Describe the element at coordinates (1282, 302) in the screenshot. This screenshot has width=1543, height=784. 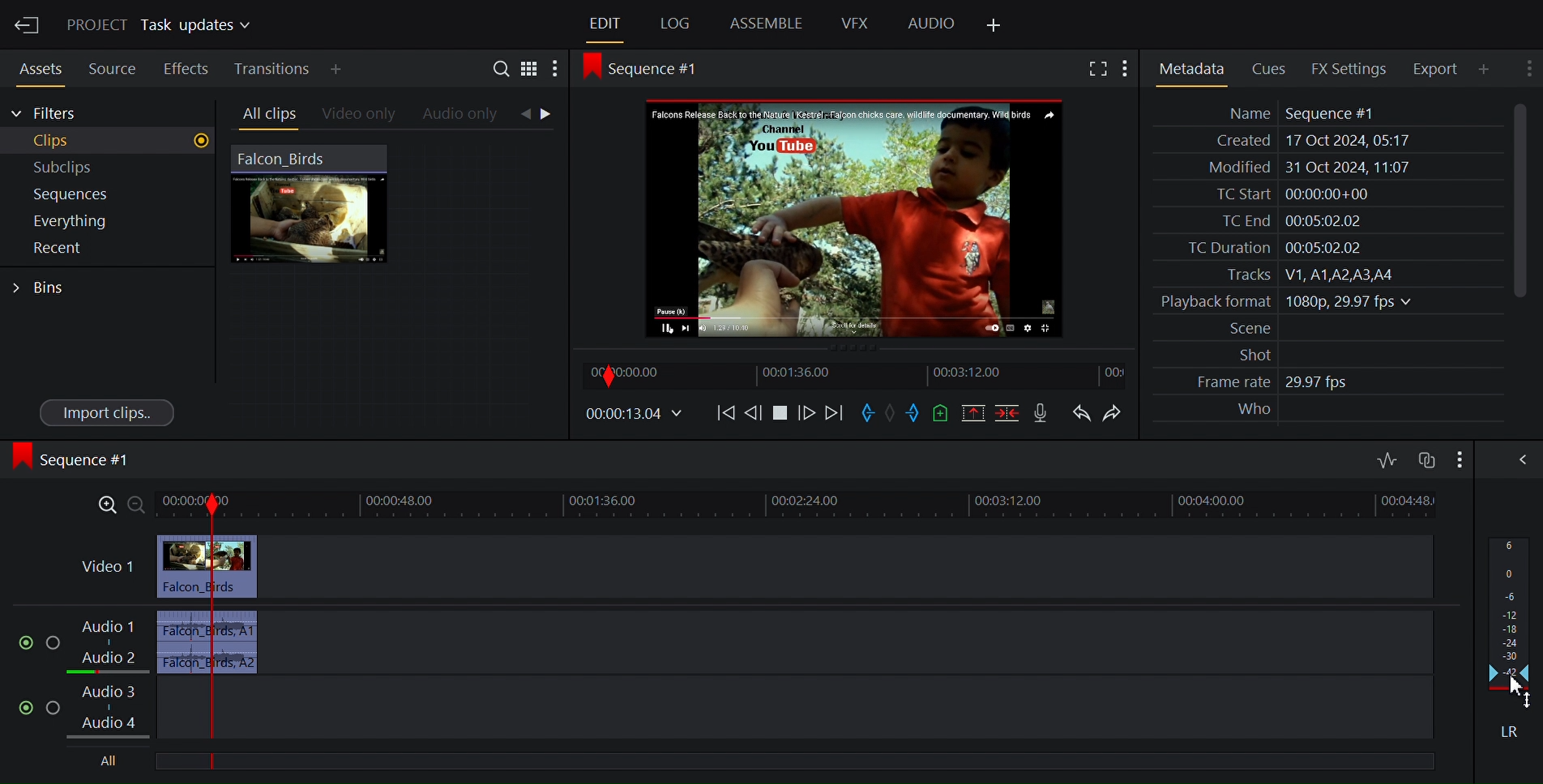
I see `Playback format 1080p, 29.97 fps ` at that location.